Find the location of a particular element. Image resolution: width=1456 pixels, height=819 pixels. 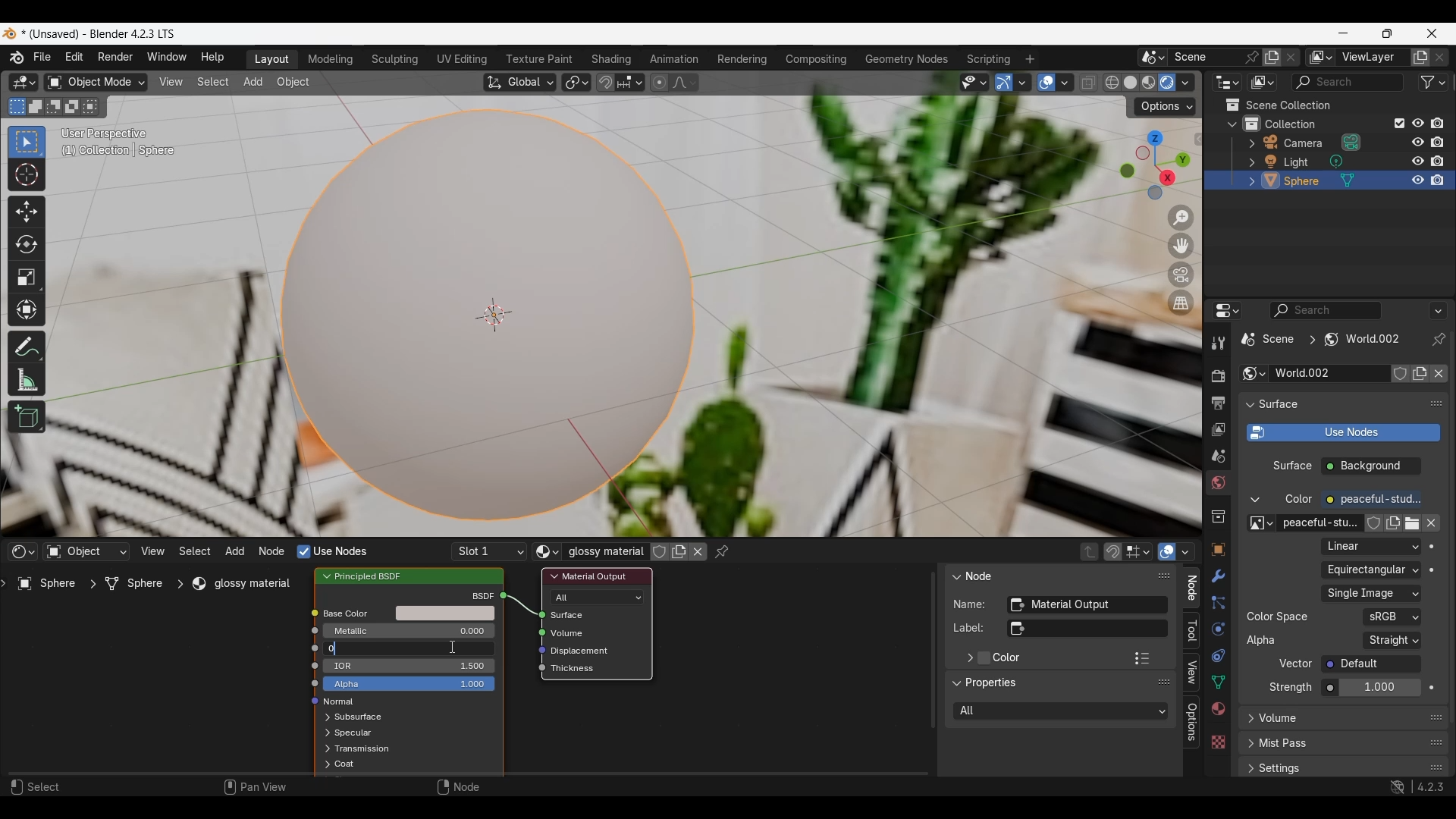

Collapse is located at coordinates (1249, 405).